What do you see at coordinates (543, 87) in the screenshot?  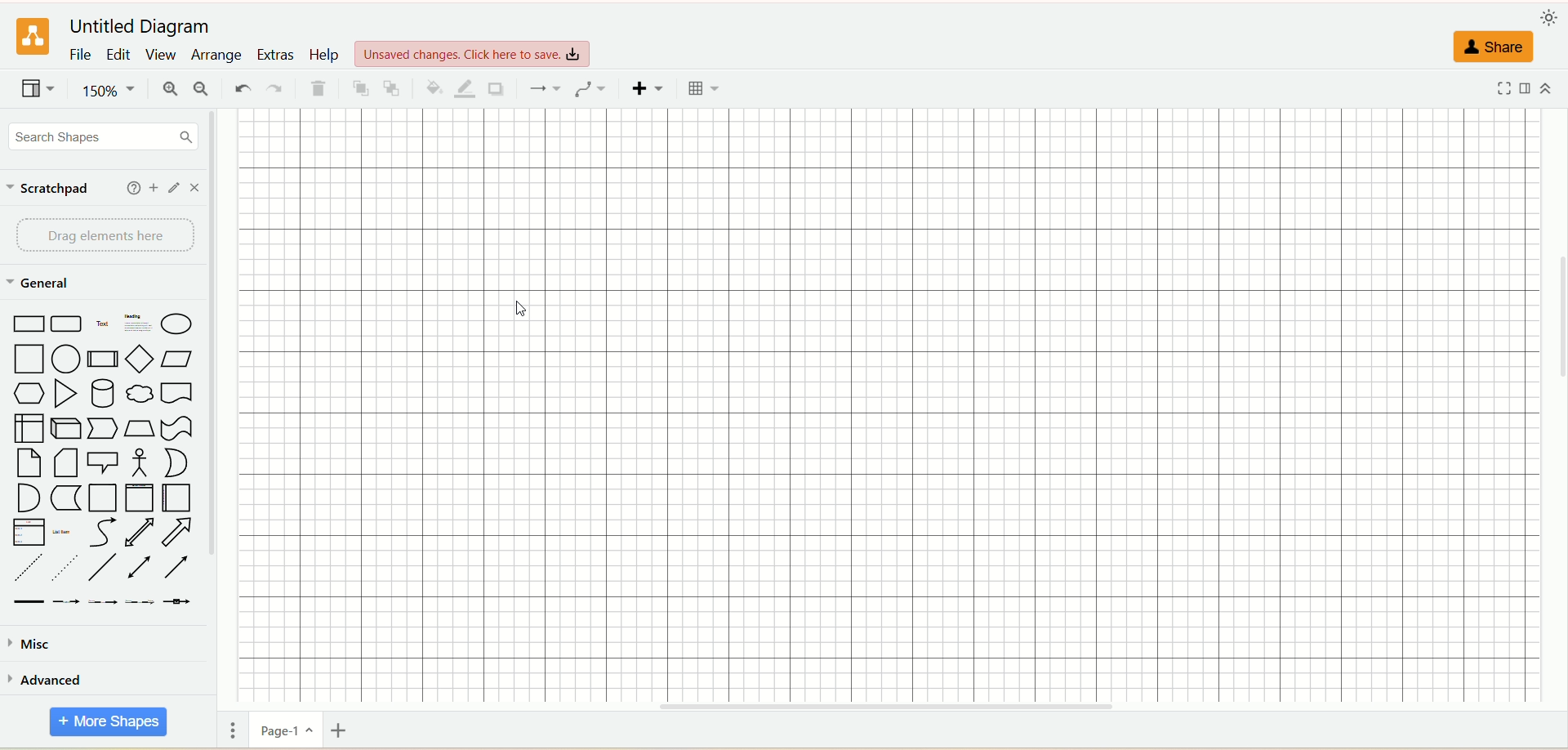 I see `connection` at bounding box center [543, 87].